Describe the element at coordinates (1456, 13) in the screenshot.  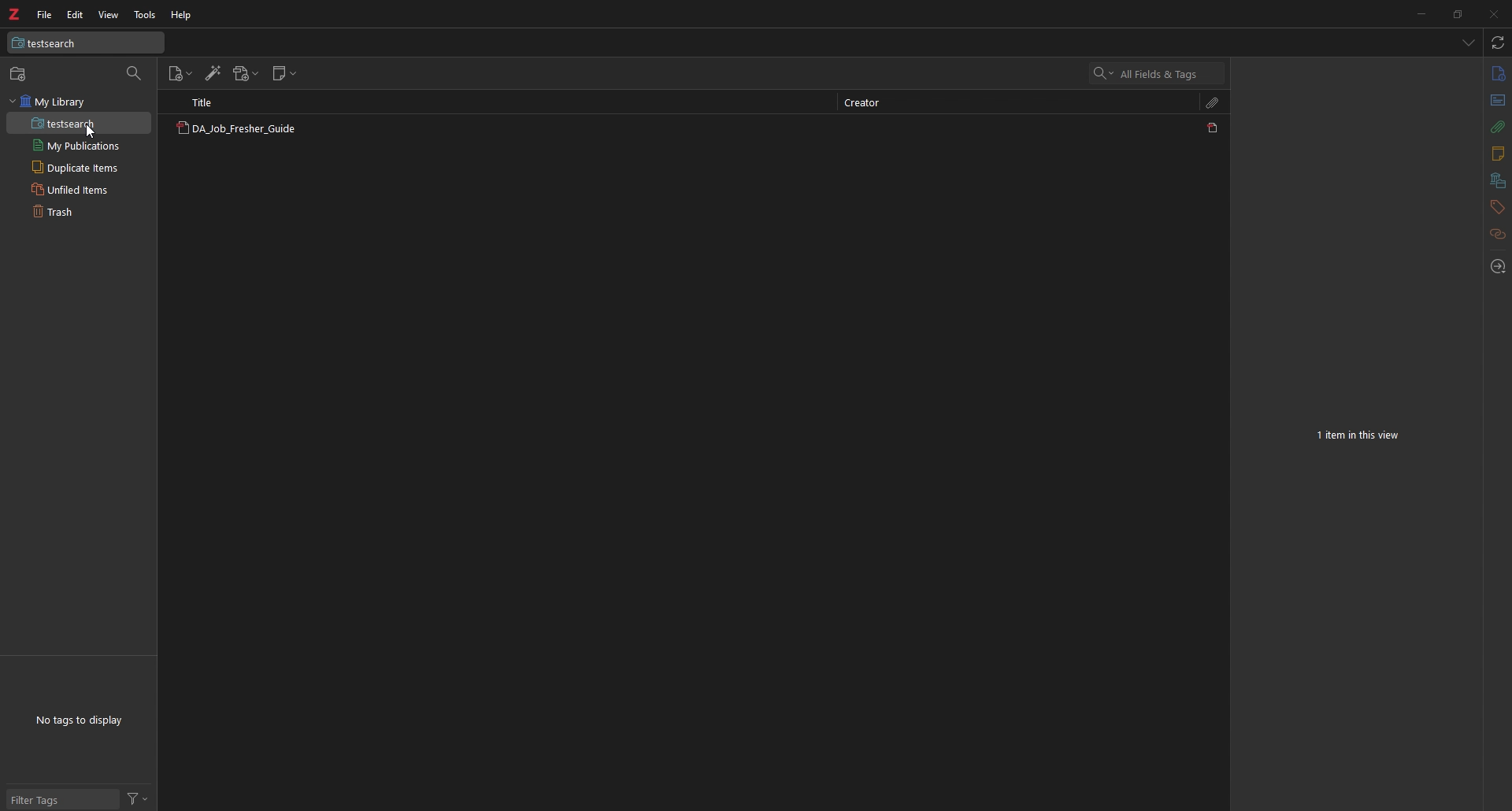
I see `resize` at that location.